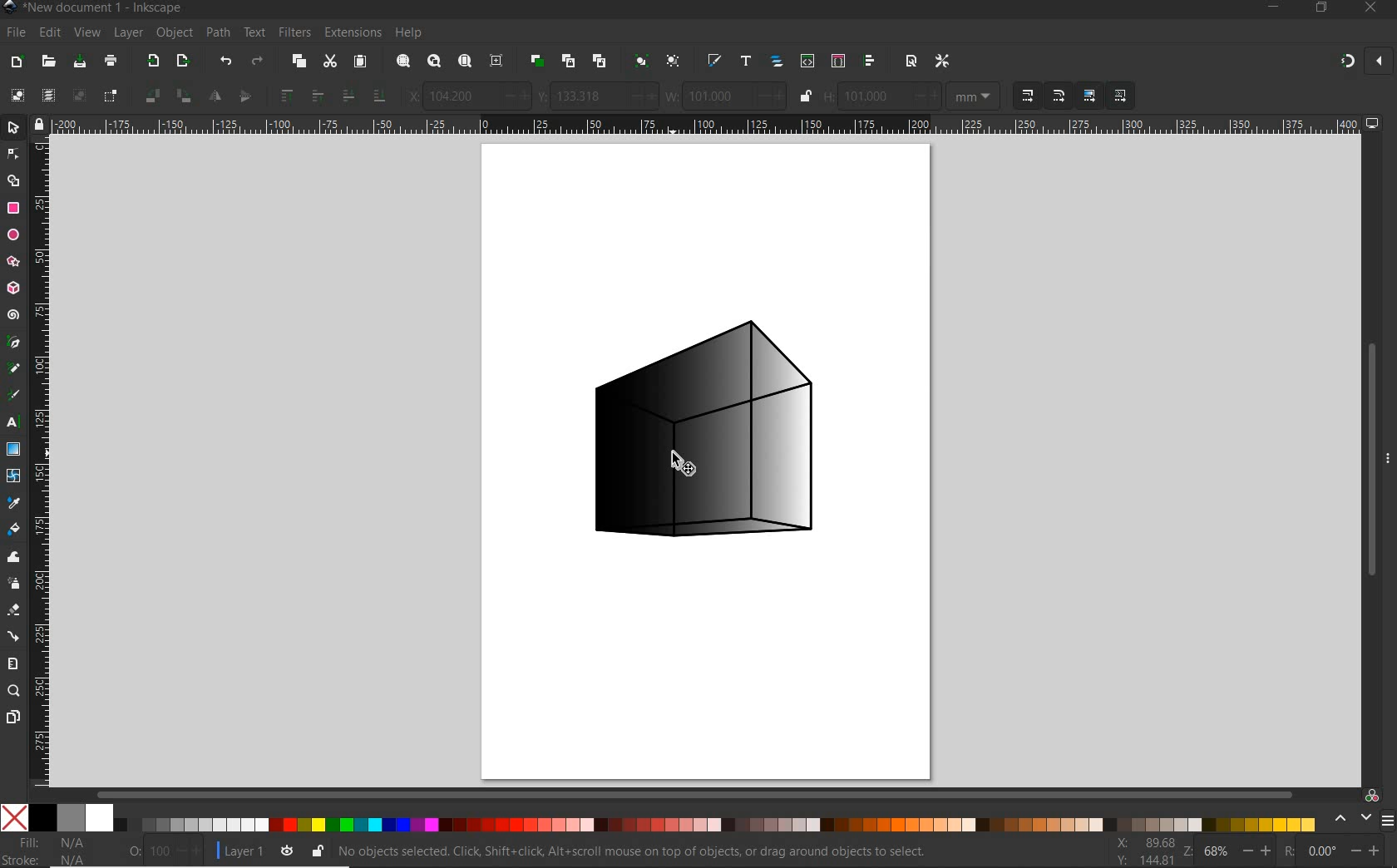 The height and width of the screenshot is (868, 1397). What do you see at coordinates (466, 62) in the screenshot?
I see `ZOOM PAGE` at bounding box center [466, 62].